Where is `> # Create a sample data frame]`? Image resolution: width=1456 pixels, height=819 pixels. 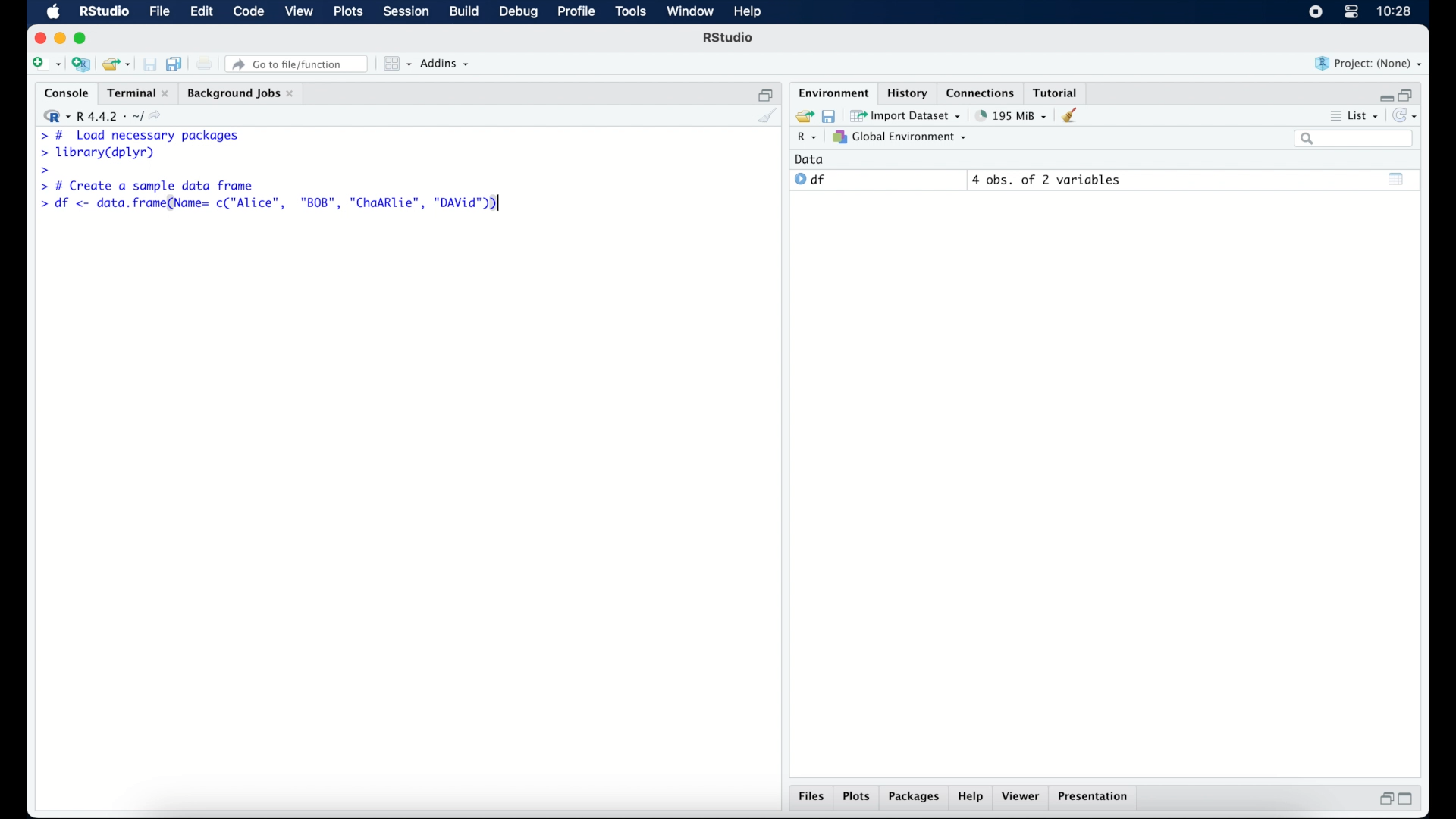 > # Create a sample data frame] is located at coordinates (150, 185).